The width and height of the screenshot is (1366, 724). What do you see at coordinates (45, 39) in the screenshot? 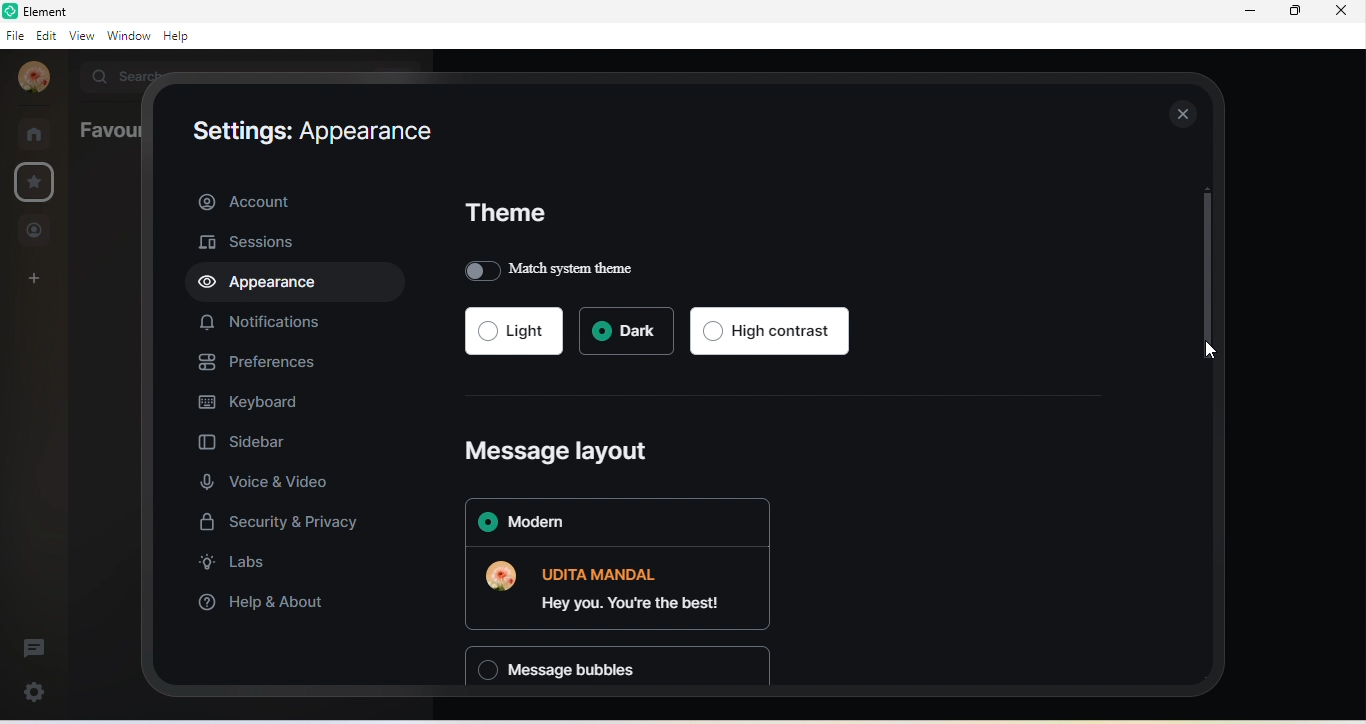
I see `edit` at bounding box center [45, 39].